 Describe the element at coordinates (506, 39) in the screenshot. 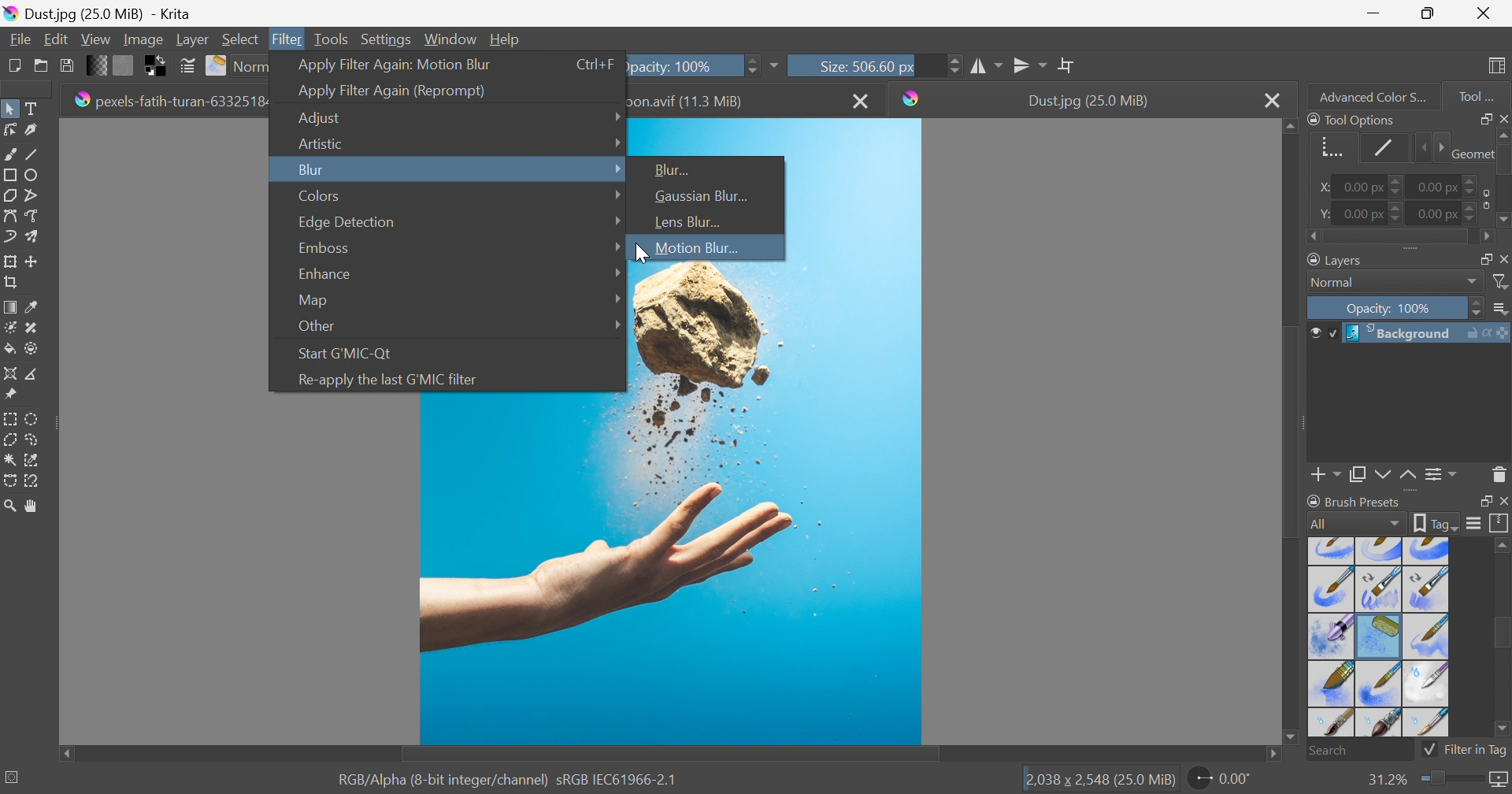

I see `Help` at that location.